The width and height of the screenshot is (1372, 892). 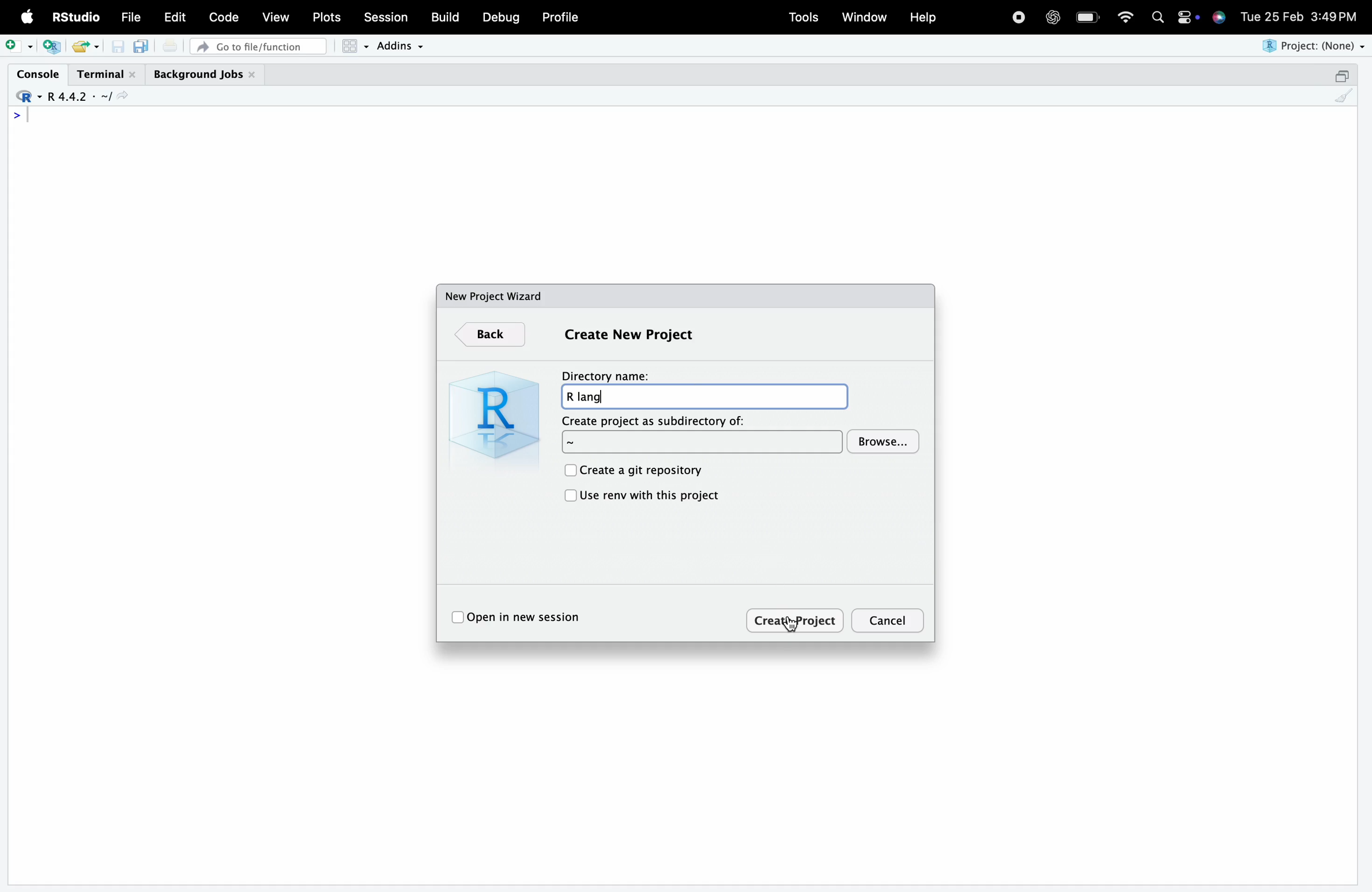 What do you see at coordinates (568, 470) in the screenshot?
I see `checkbox` at bounding box center [568, 470].